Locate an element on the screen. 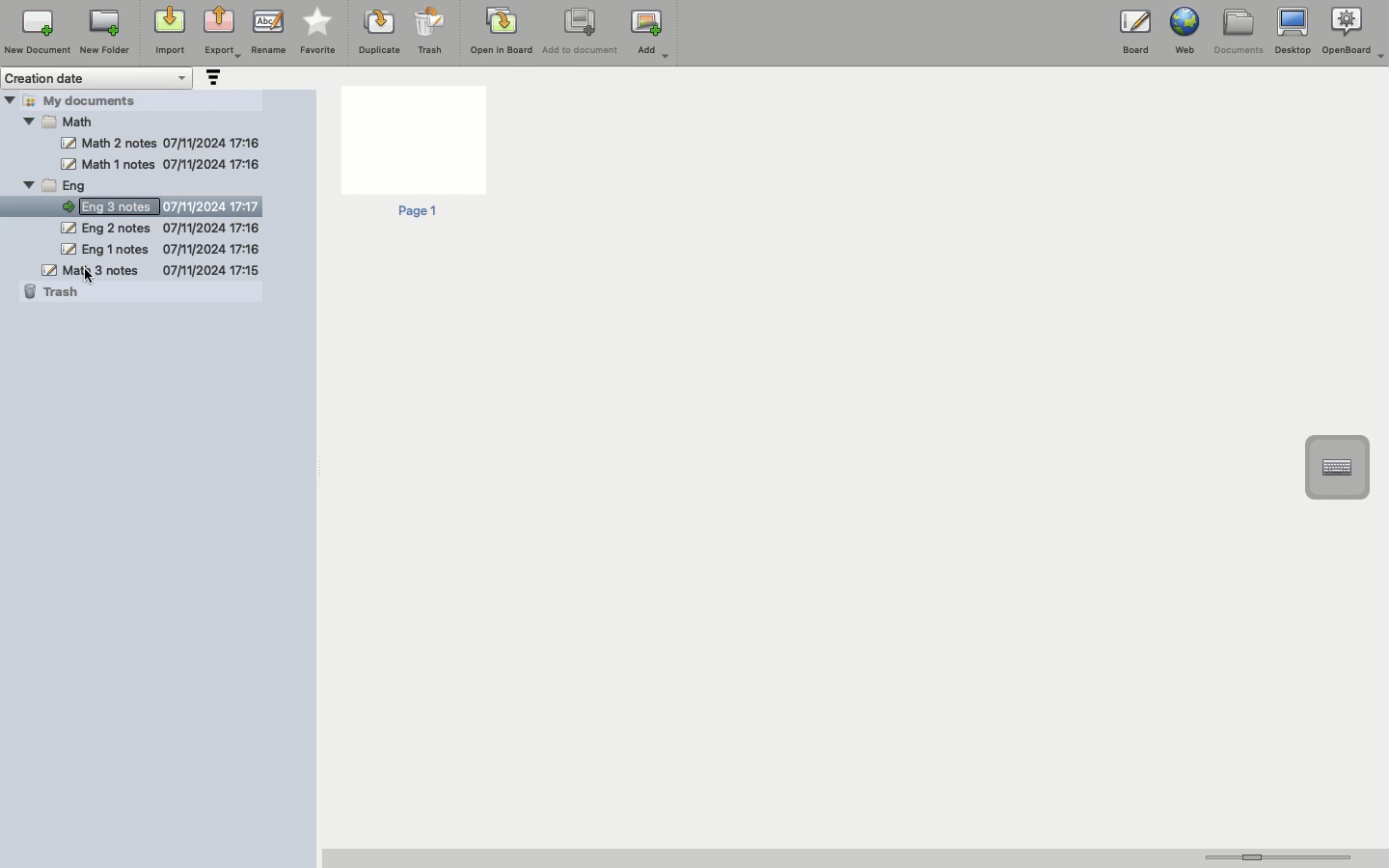 The height and width of the screenshot is (868, 1389). Board is located at coordinates (1135, 36).